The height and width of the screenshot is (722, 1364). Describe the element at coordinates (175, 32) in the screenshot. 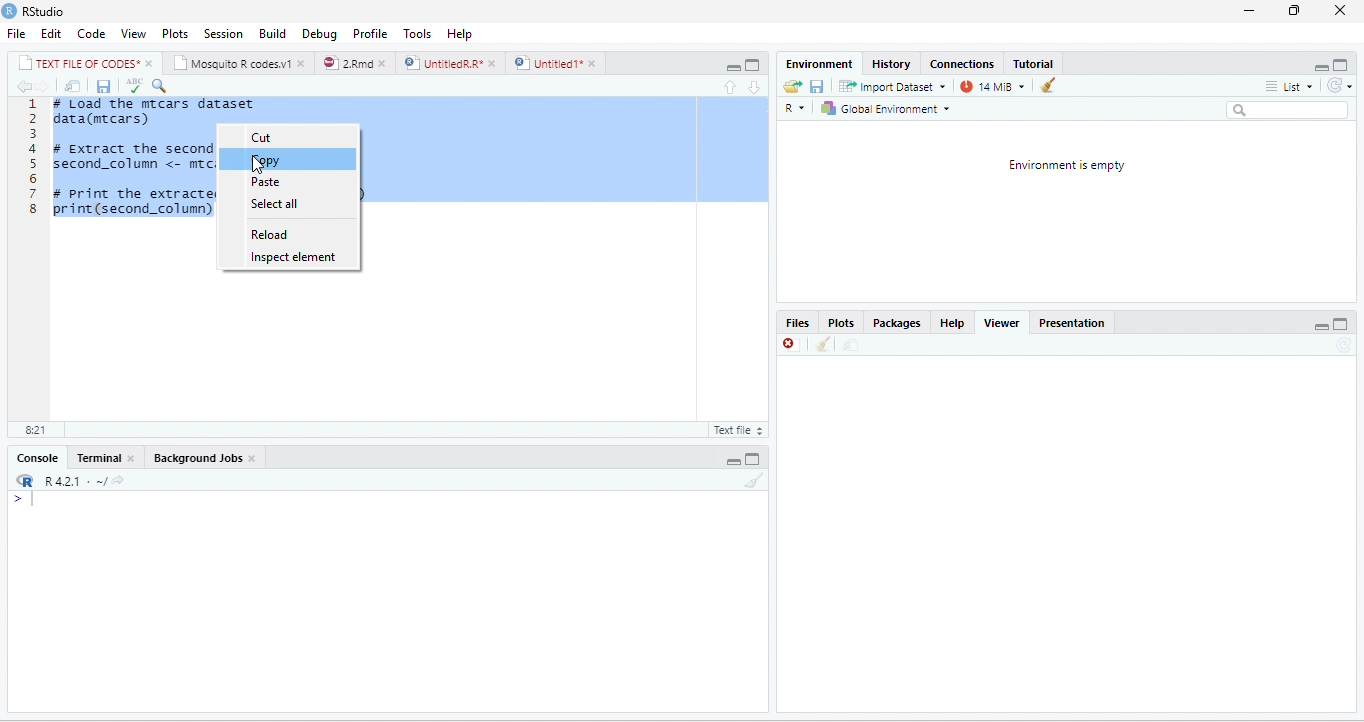

I see `Plots` at that location.